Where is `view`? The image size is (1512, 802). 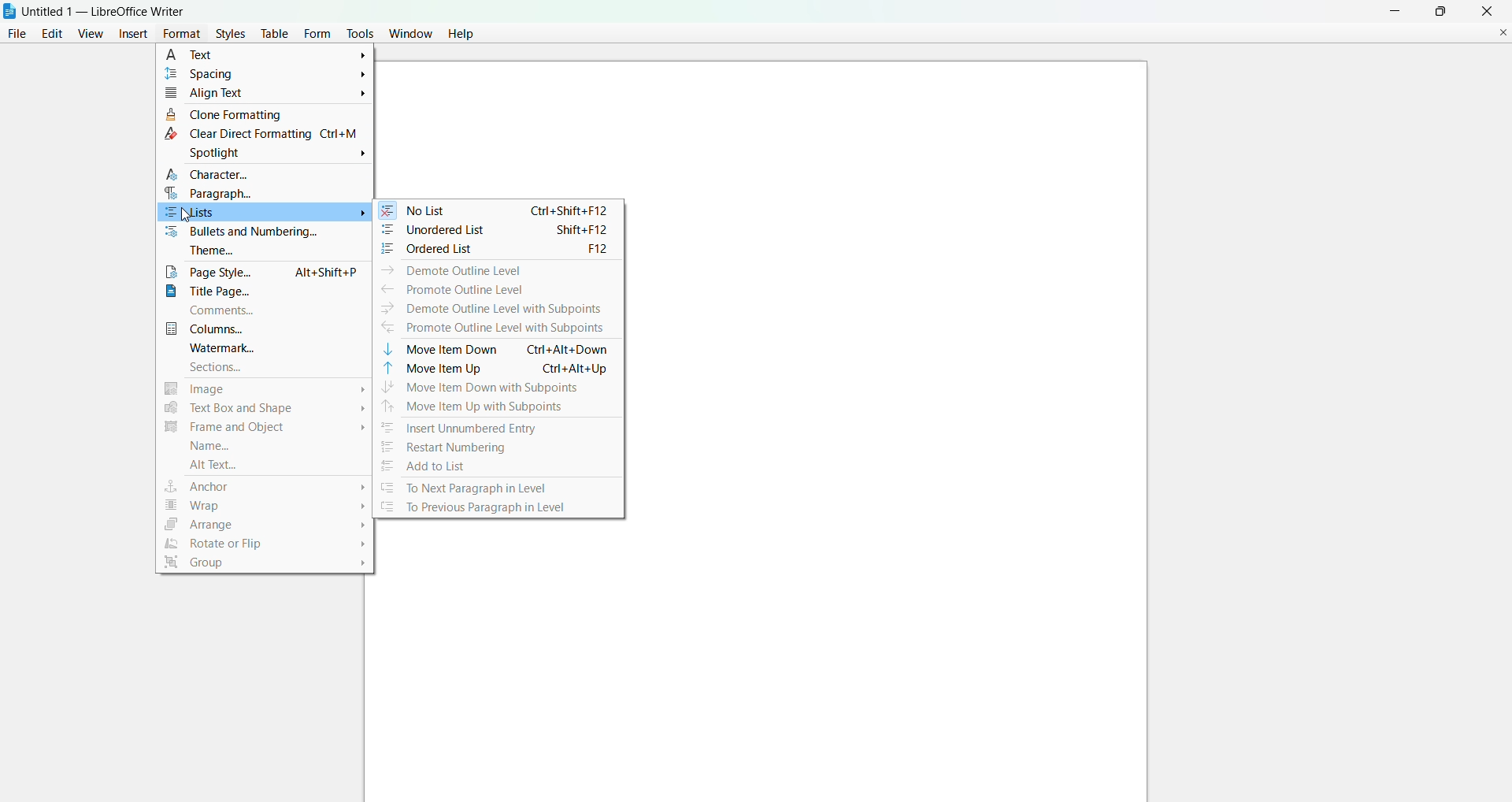
view is located at coordinates (91, 32).